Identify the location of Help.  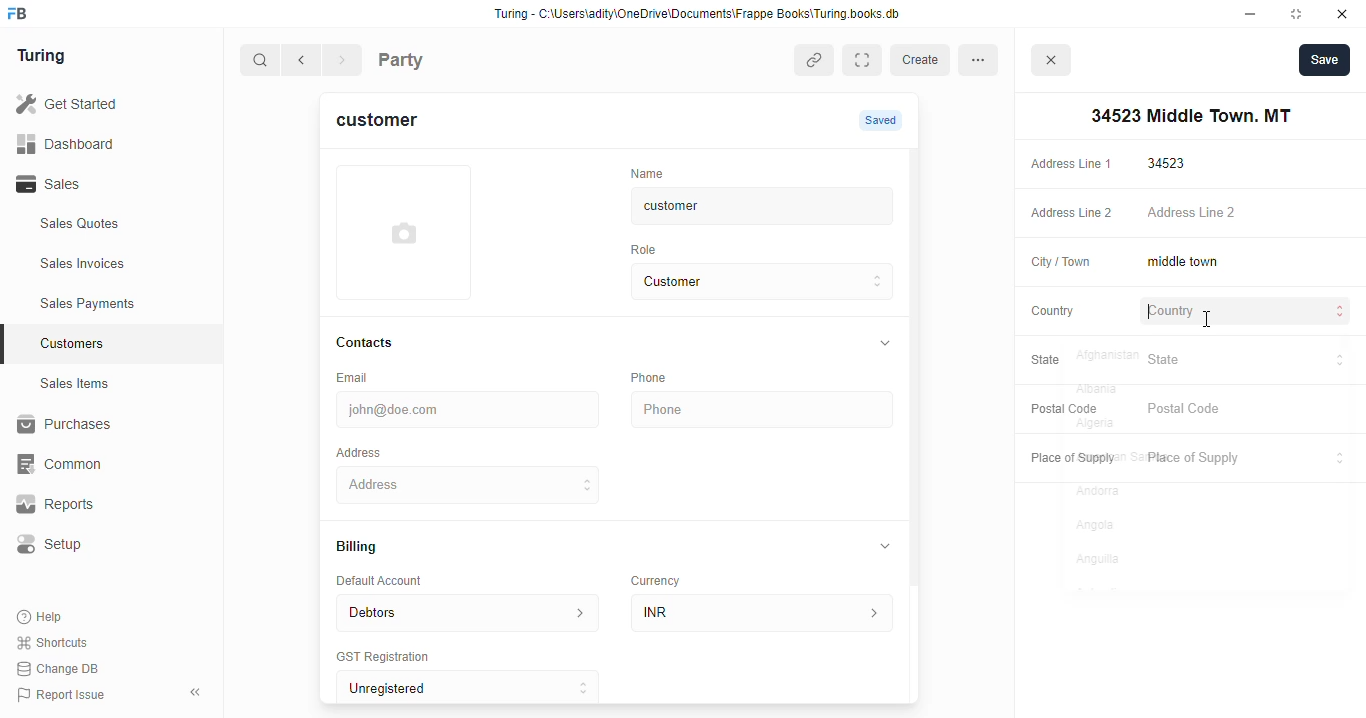
(42, 618).